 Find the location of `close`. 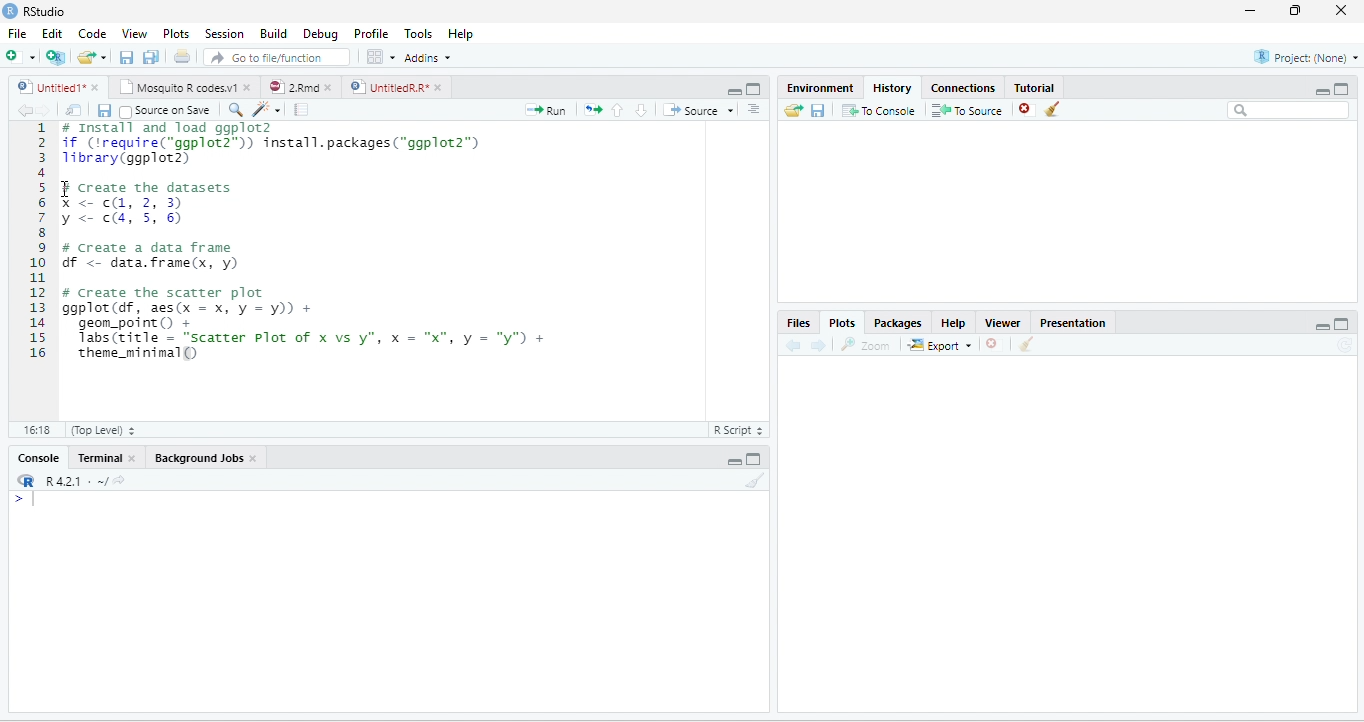

close is located at coordinates (95, 87).